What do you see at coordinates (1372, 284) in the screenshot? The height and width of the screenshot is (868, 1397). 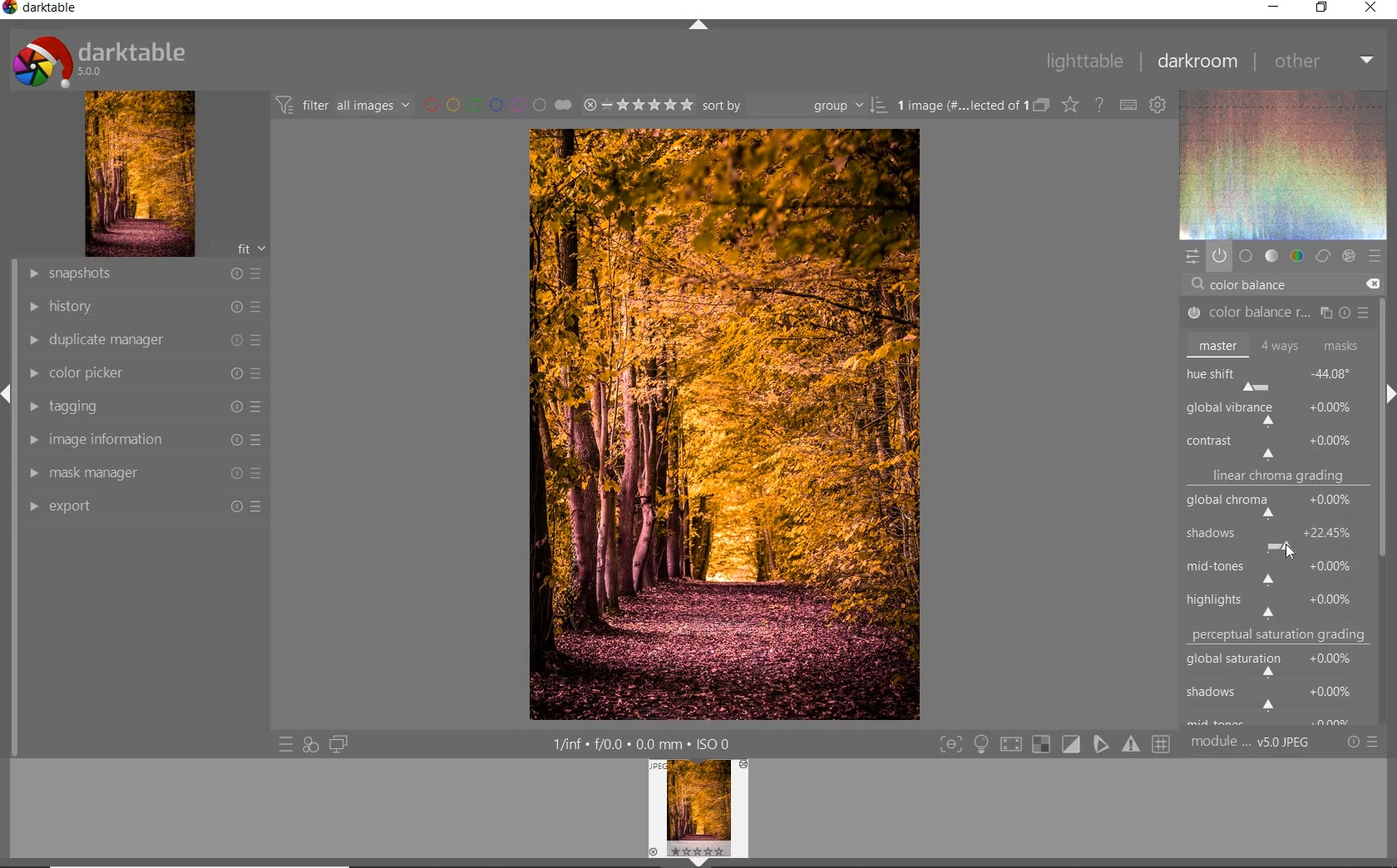 I see `DELETE` at bounding box center [1372, 284].